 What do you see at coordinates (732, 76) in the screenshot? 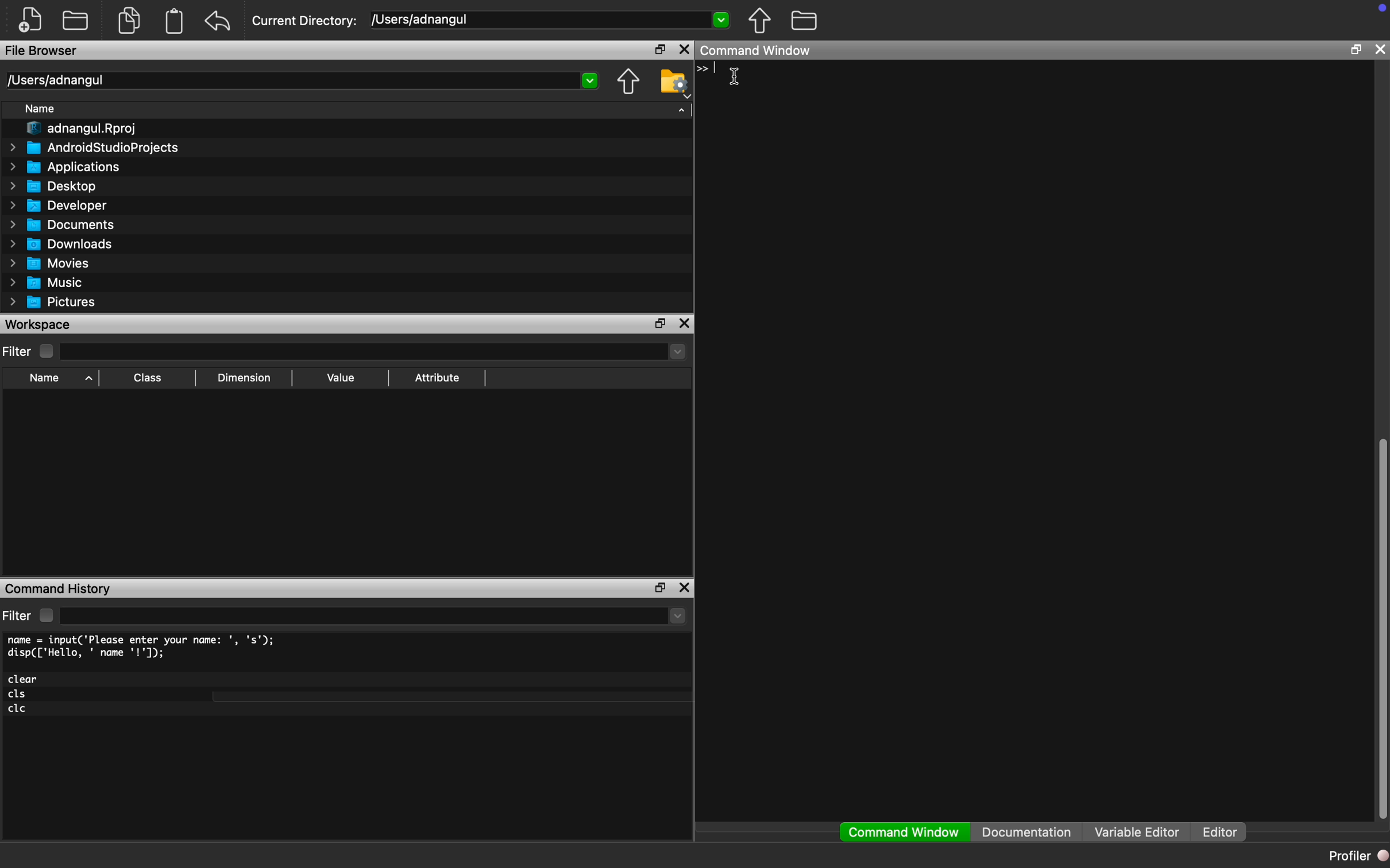
I see `Cursor` at bounding box center [732, 76].